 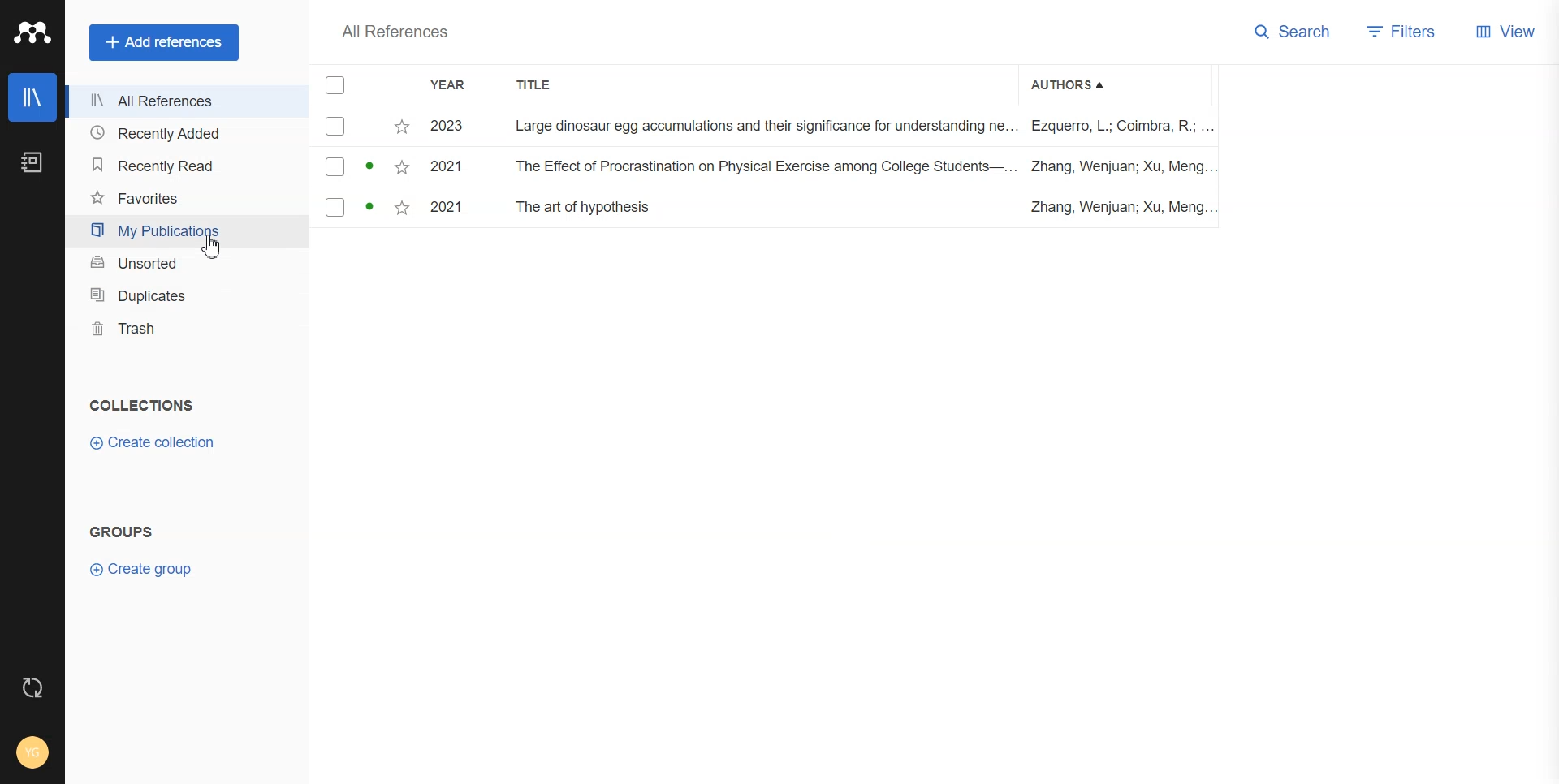 I want to click on All References, so click(x=399, y=34).